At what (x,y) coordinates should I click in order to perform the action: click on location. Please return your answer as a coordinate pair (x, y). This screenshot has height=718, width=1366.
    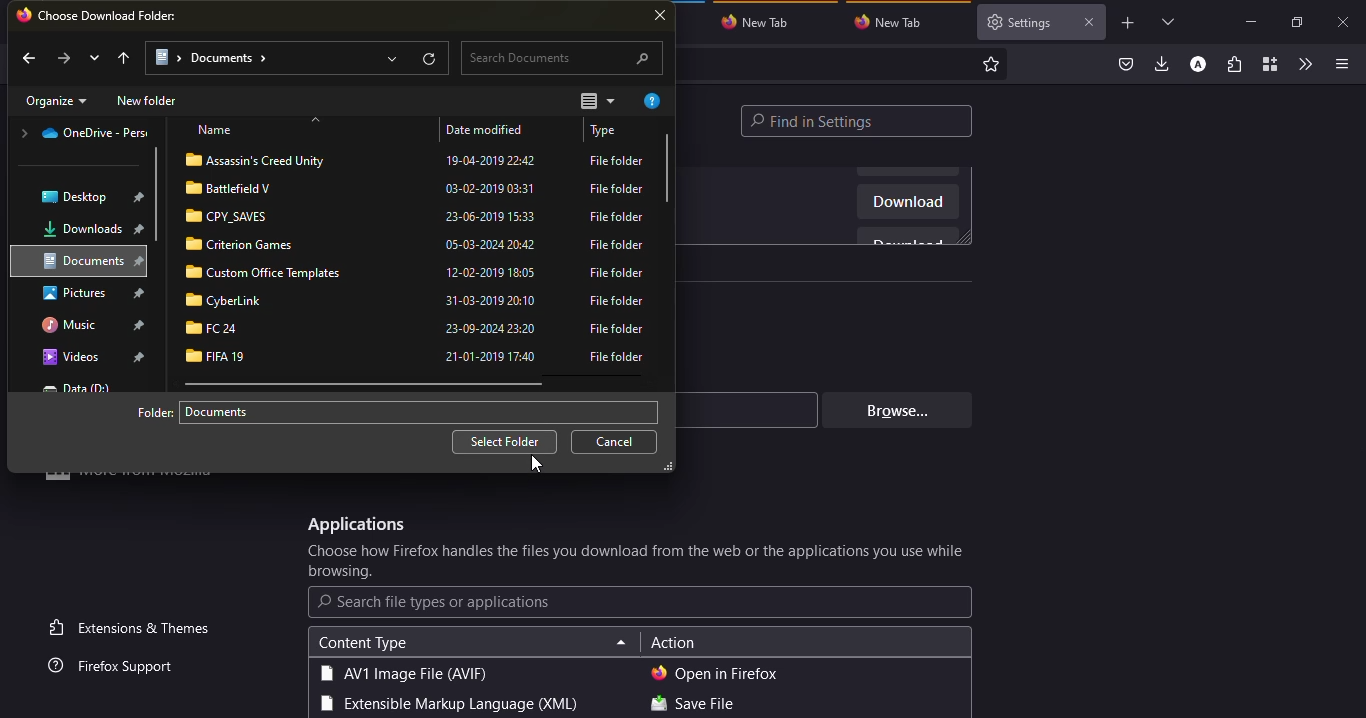
    Looking at the image, I should click on (83, 230).